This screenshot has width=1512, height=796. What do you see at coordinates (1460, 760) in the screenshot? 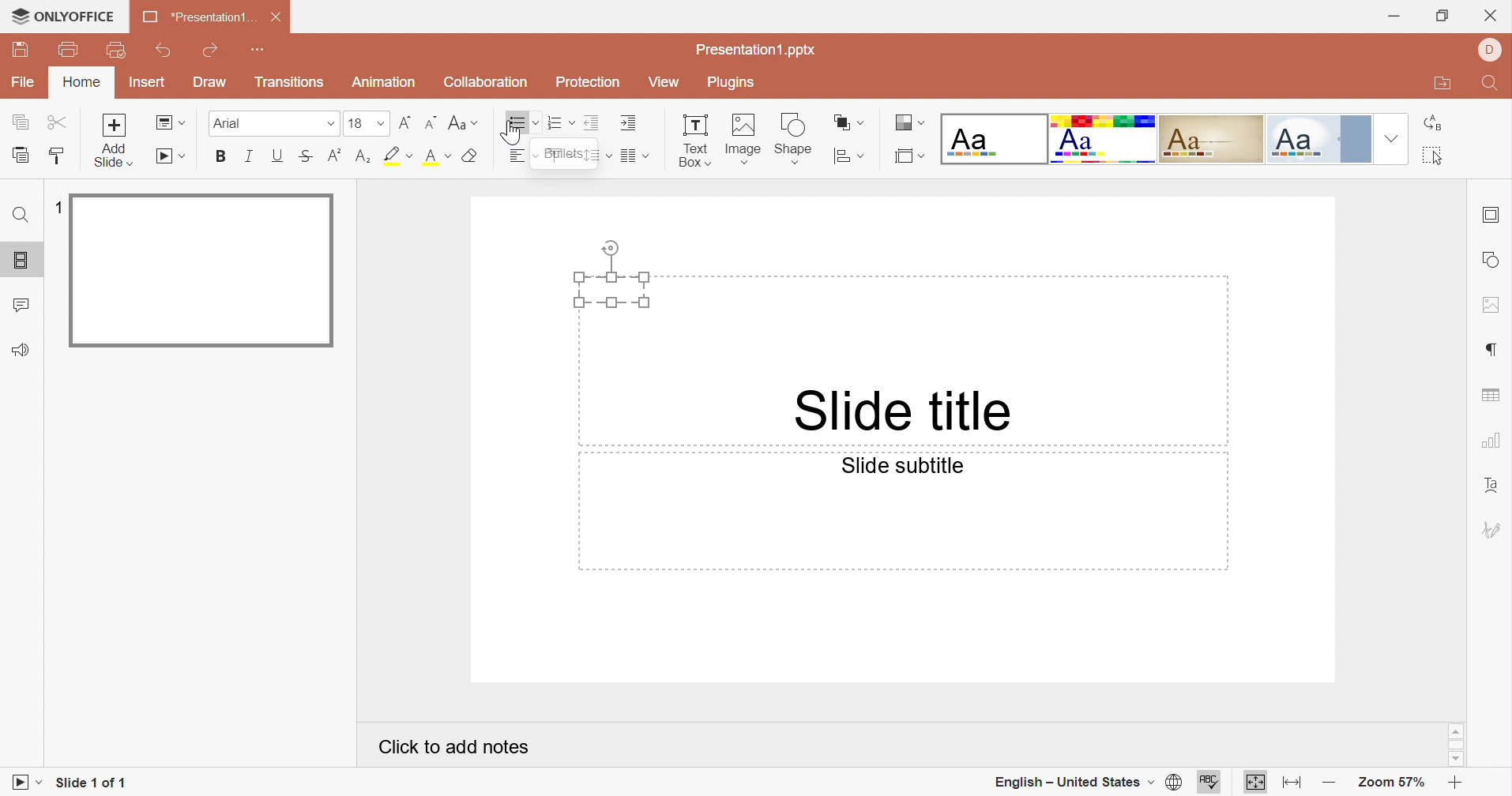
I see `Scroll Down` at bounding box center [1460, 760].